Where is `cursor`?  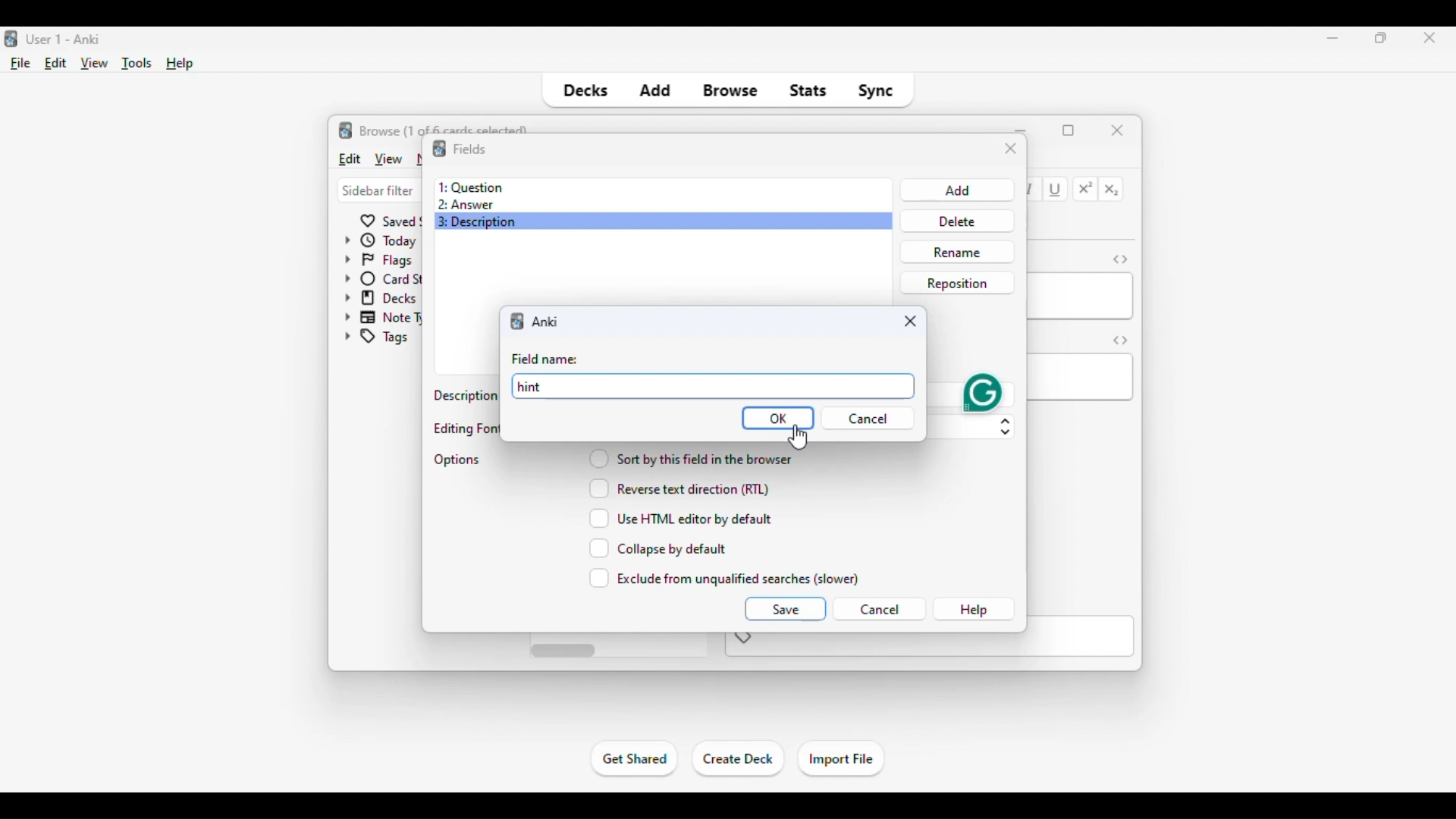 cursor is located at coordinates (797, 438).